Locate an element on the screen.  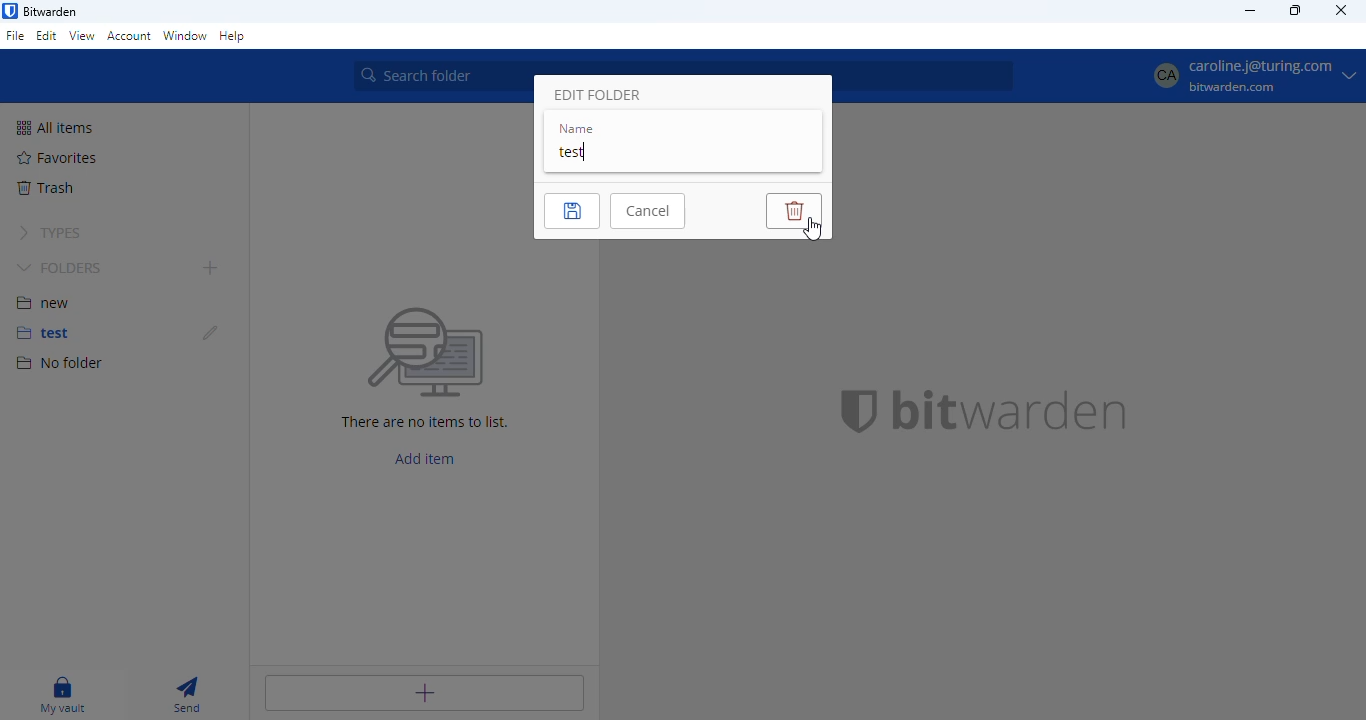
help is located at coordinates (233, 37).